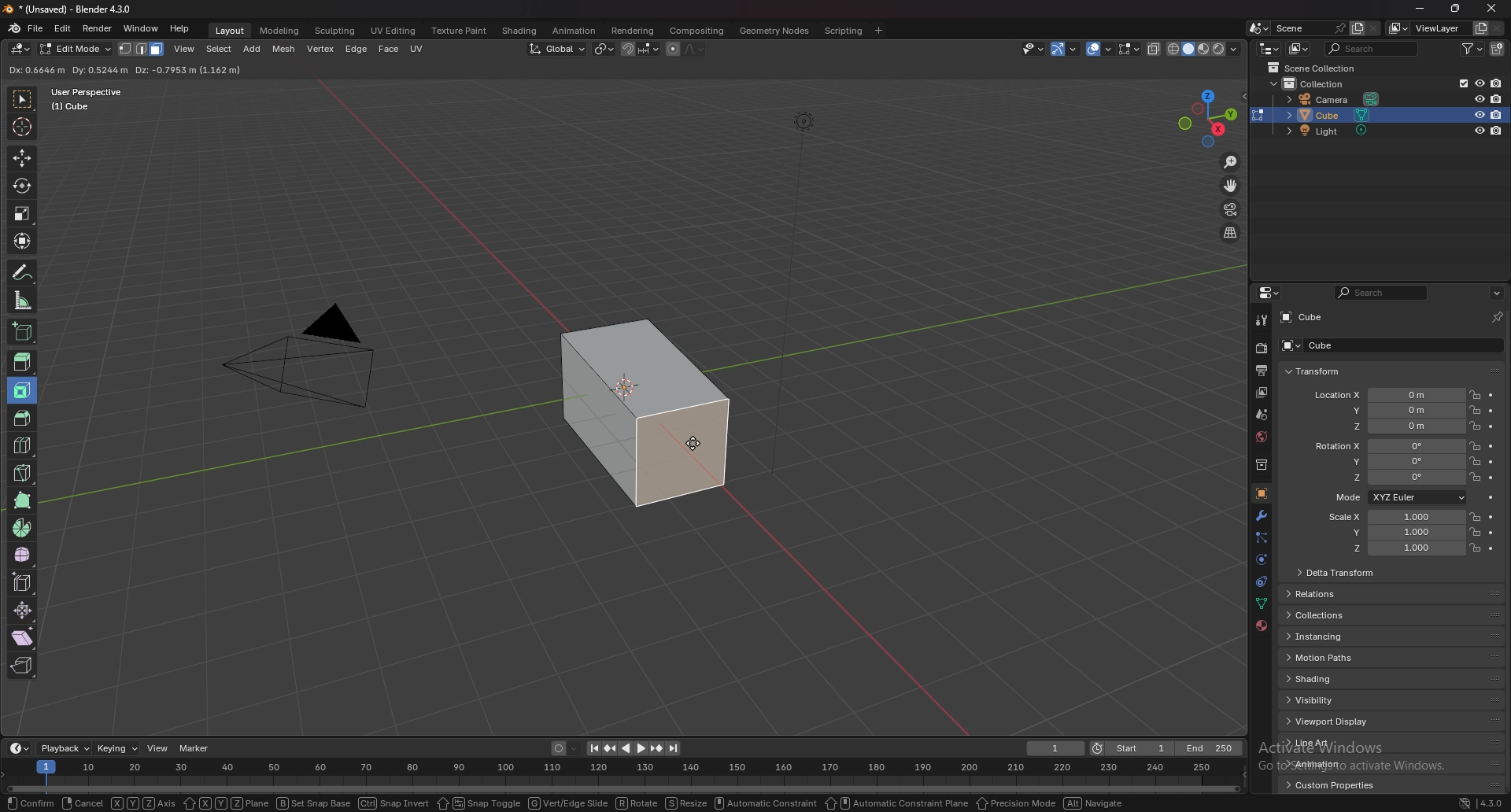 The height and width of the screenshot is (812, 1511). Describe the element at coordinates (1474, 532) in the screenshot. I see `lock` at that location.